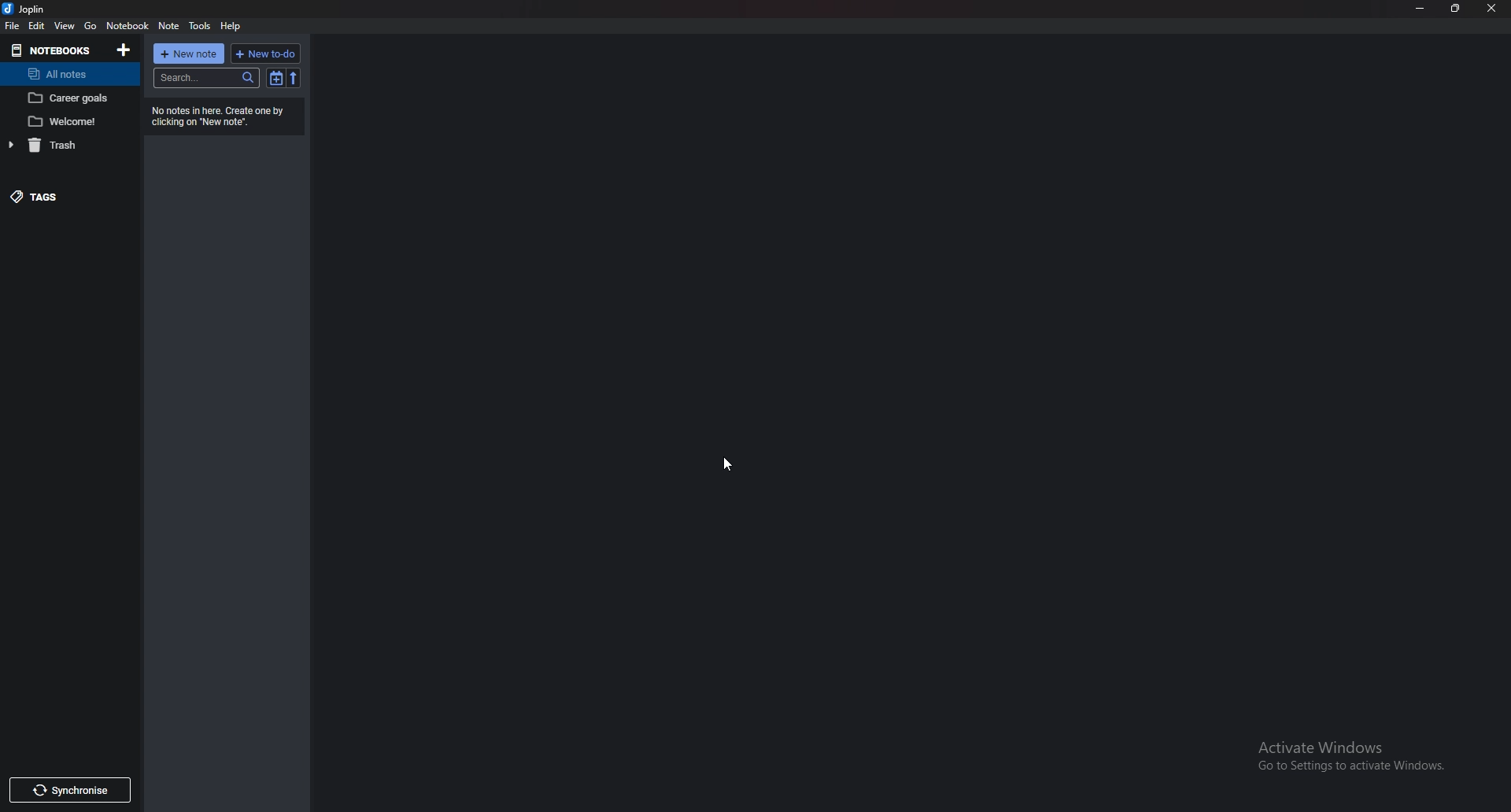  What do you see at coordinates (201, 26) in the screenshot?
I see `tools` at bounding box center [201, 26].